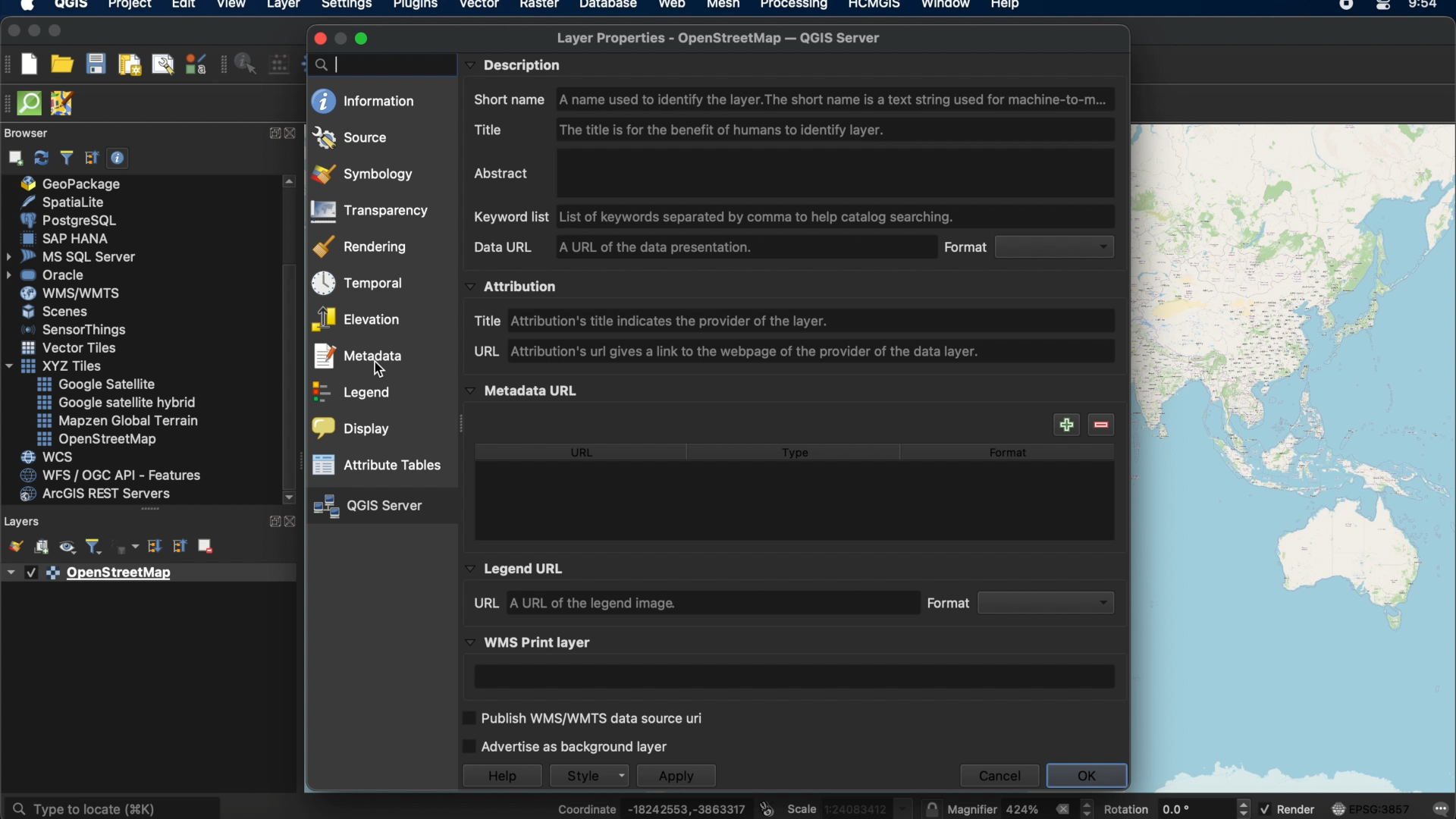 Image resolution: width=1456 pixels, height=819 pixels. Describe the element at coordinates (531, 642) in the screenshot. I see `was print layer` at that location.